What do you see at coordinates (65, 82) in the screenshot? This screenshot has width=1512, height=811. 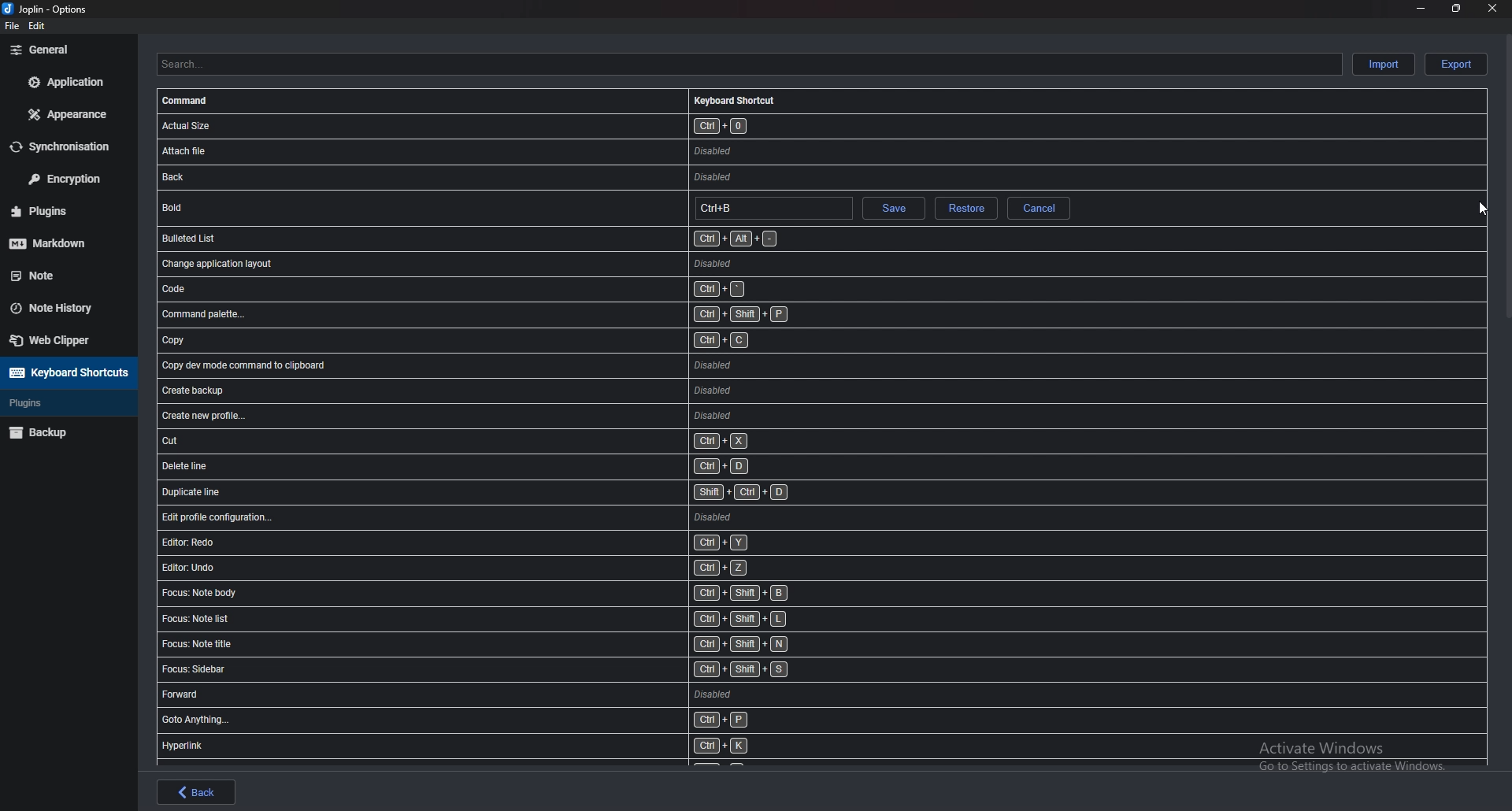 I see `Application` at bounding box center [65, 82].